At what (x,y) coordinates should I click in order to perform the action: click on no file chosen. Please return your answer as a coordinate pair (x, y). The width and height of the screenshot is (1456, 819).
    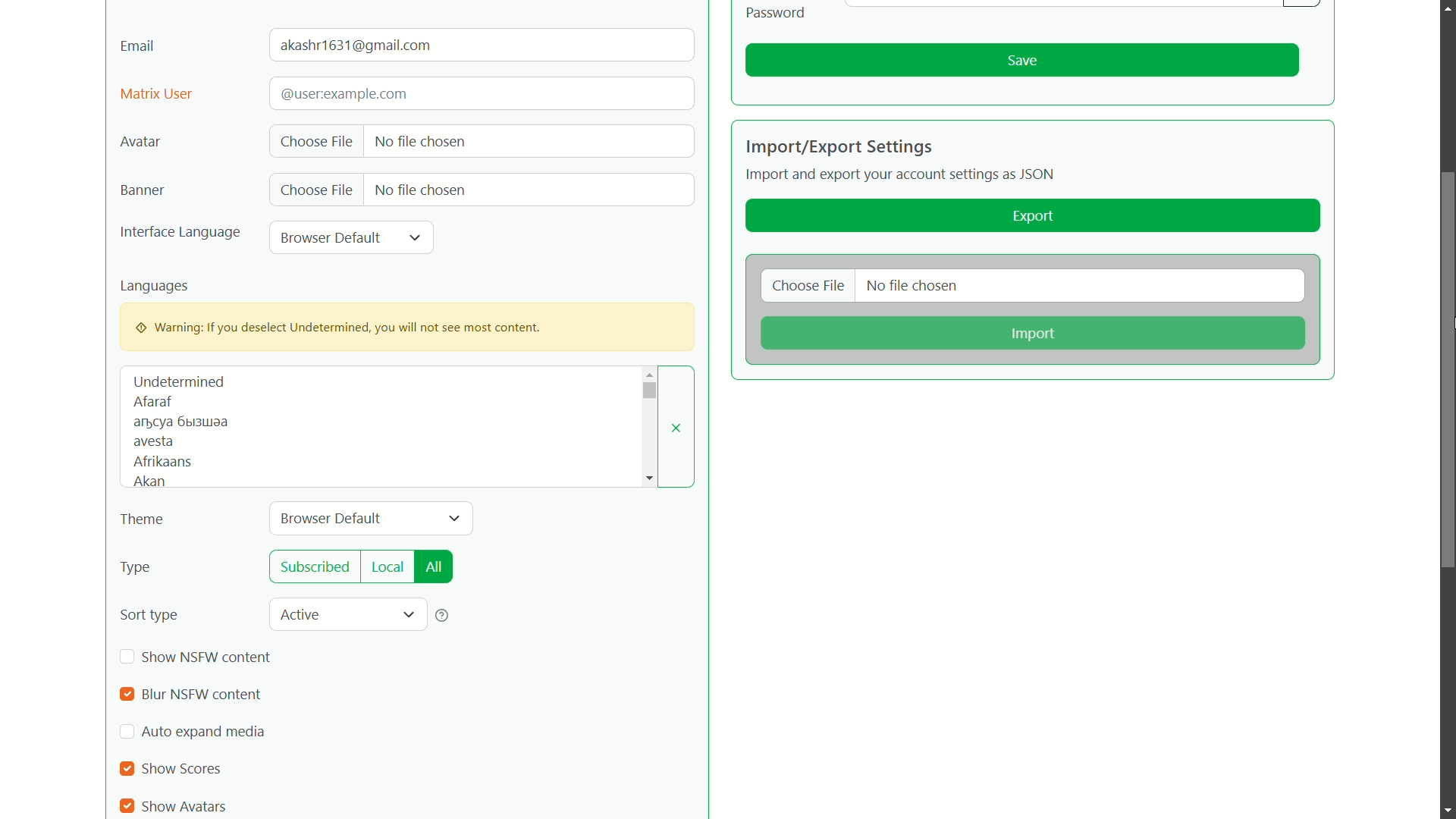
    Looking at the image, I should click on (913, 287).